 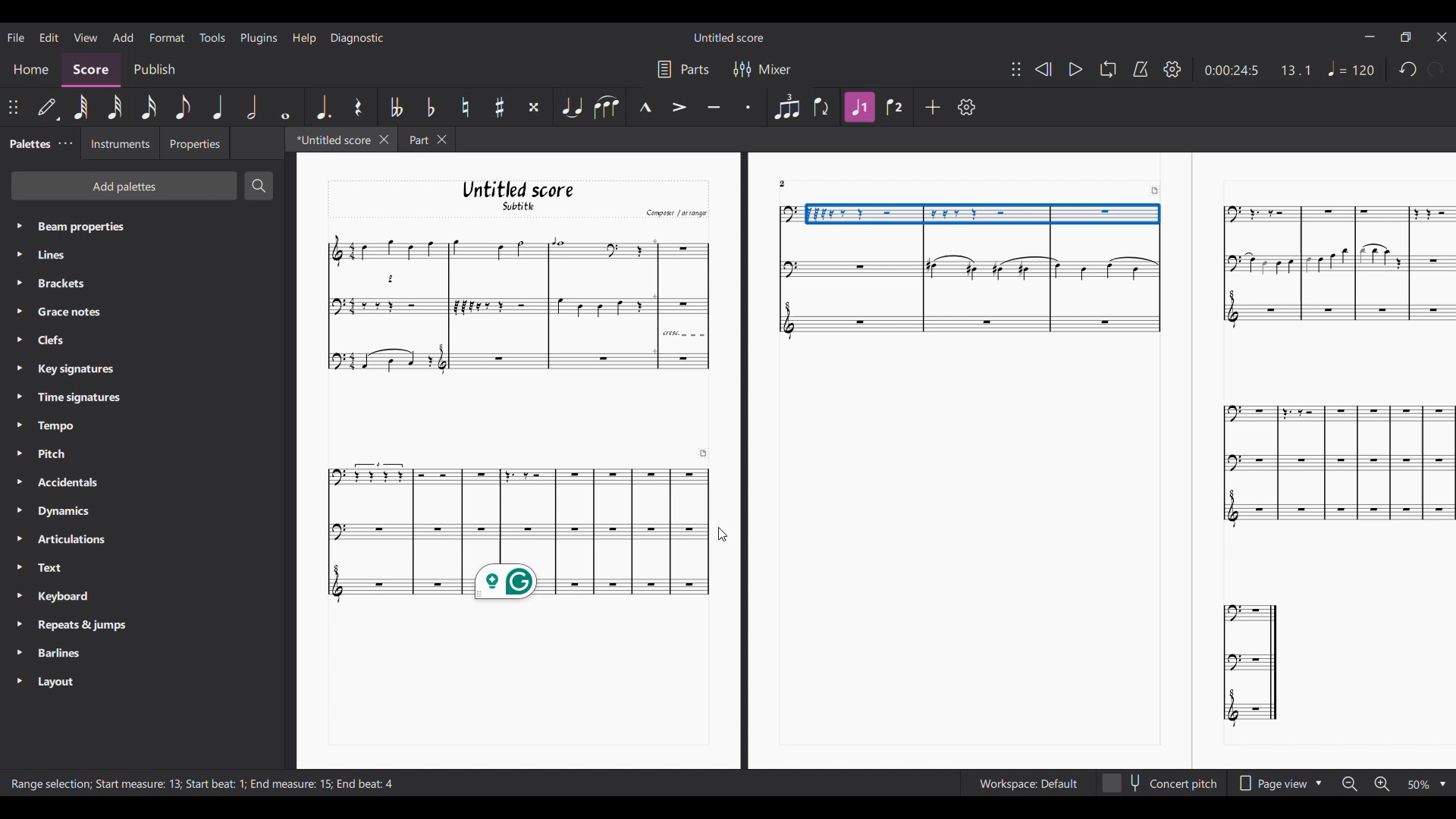 What do you see at coordinates (679, 107) in the screenshot?
I see `Accent` at bounding box center [679, 107].